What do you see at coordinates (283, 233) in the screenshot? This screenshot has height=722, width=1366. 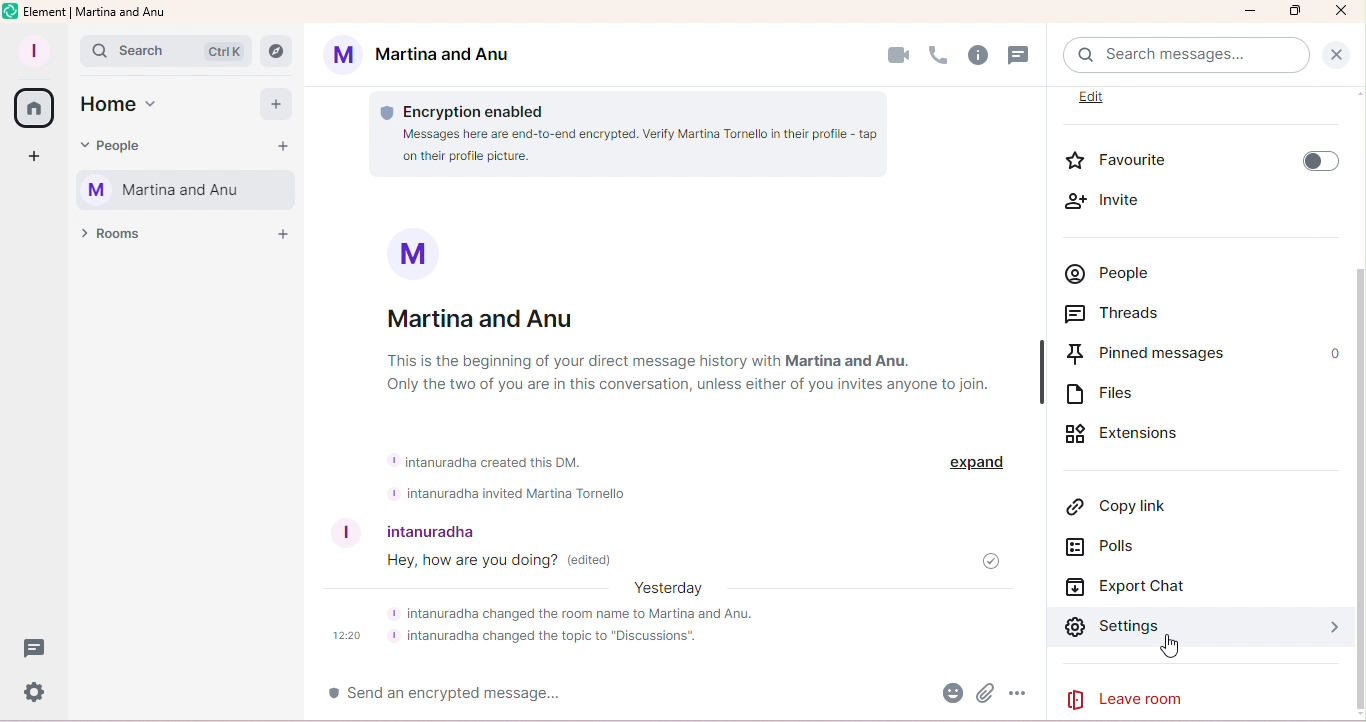 I see `Add a room` at bounding box center [283, 233].